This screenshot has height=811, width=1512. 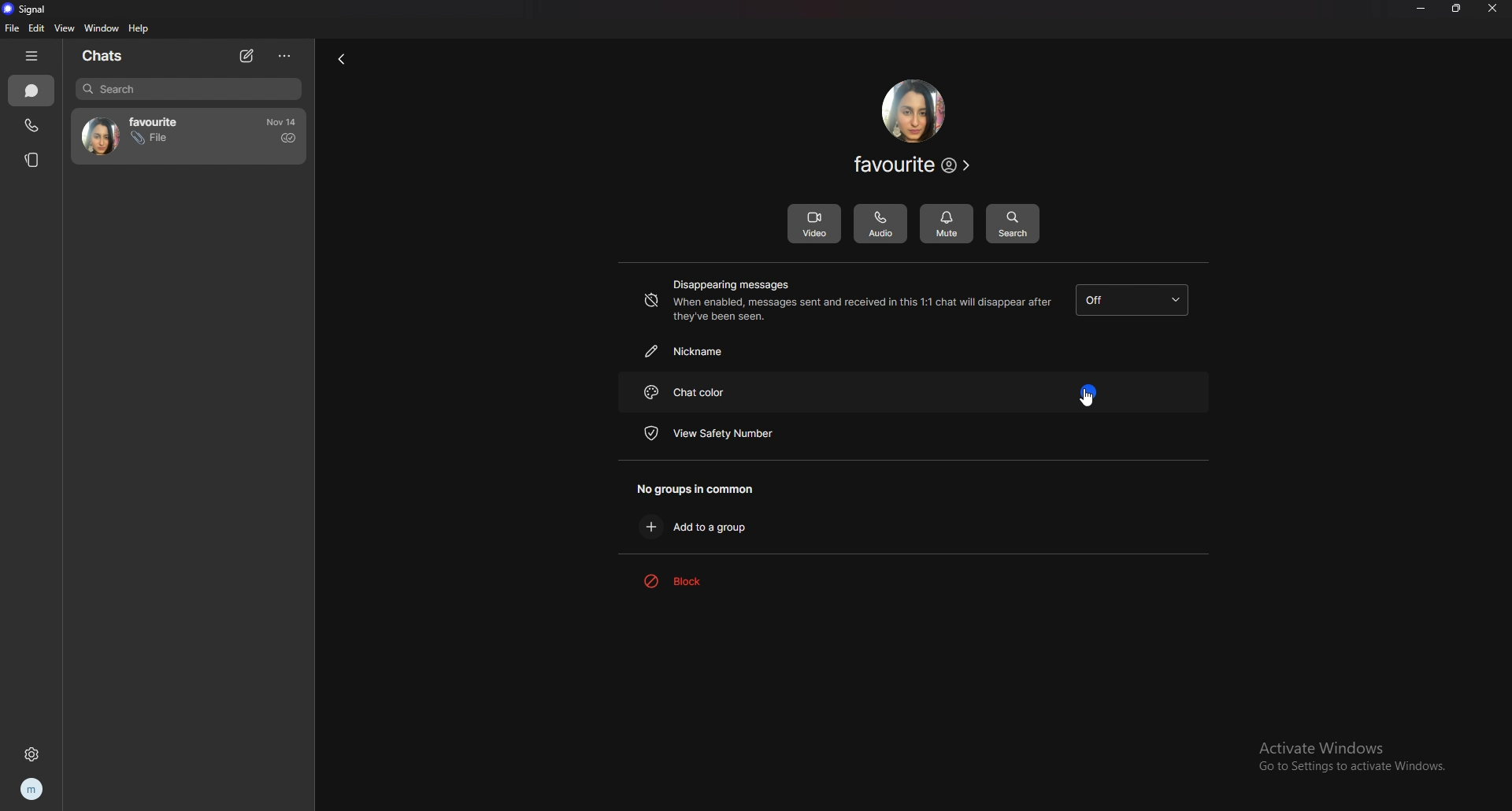 I want to click on disappearing messages, so click(x=1129, y=298).